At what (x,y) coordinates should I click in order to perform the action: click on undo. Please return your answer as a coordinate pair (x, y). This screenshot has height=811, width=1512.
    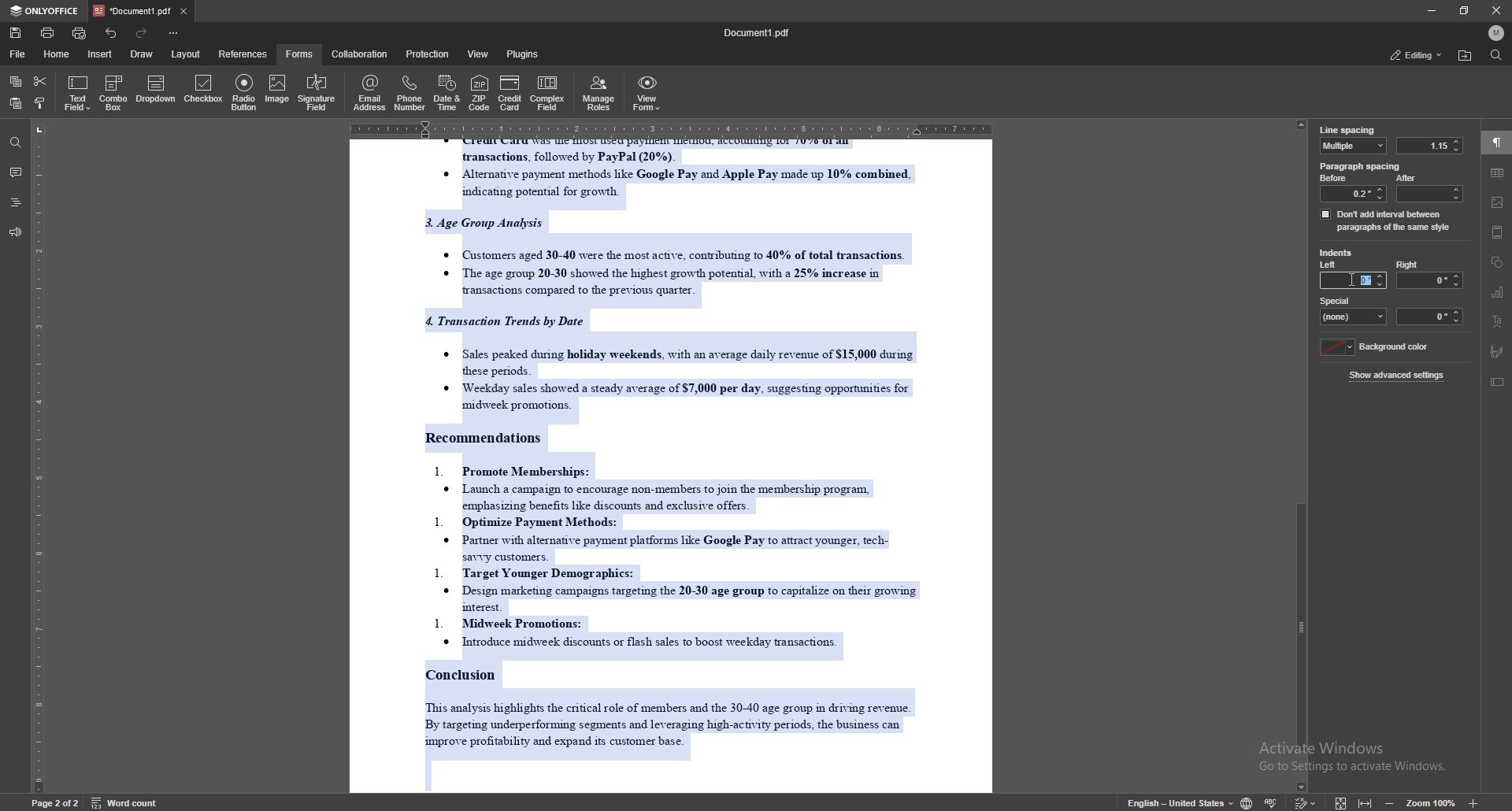
    Looking at the image, I should click on (112, 33).